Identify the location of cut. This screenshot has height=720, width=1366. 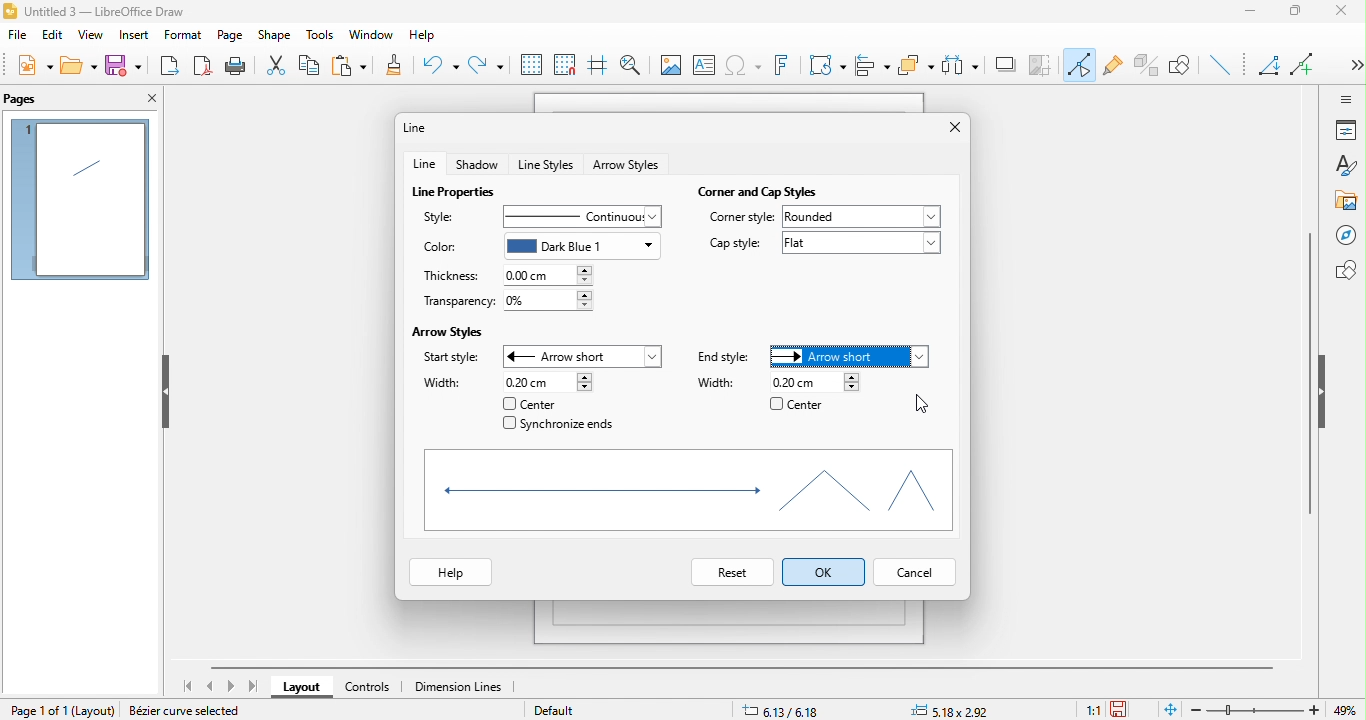
(276, 66).